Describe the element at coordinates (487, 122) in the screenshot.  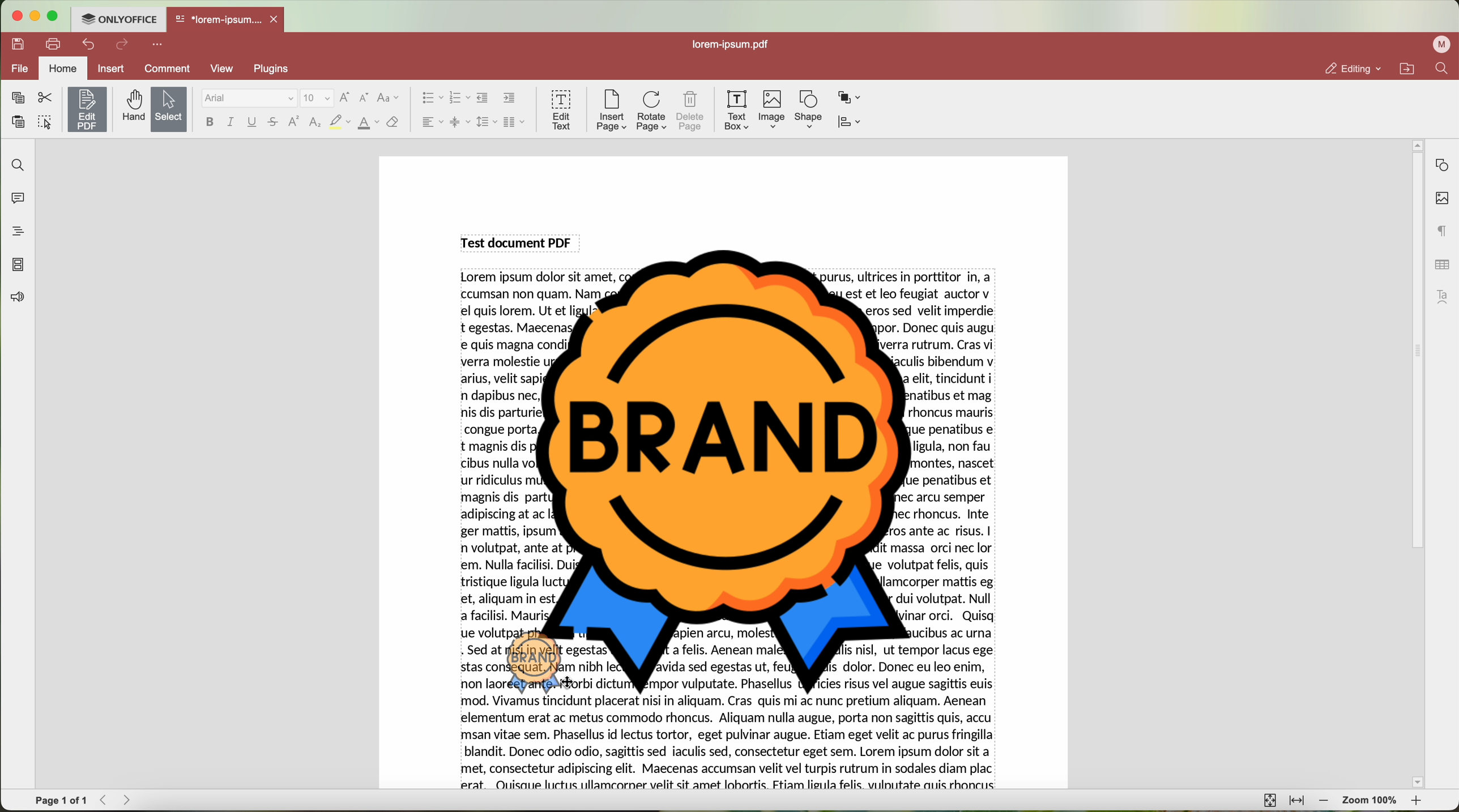
I see `line spacing` at that location.